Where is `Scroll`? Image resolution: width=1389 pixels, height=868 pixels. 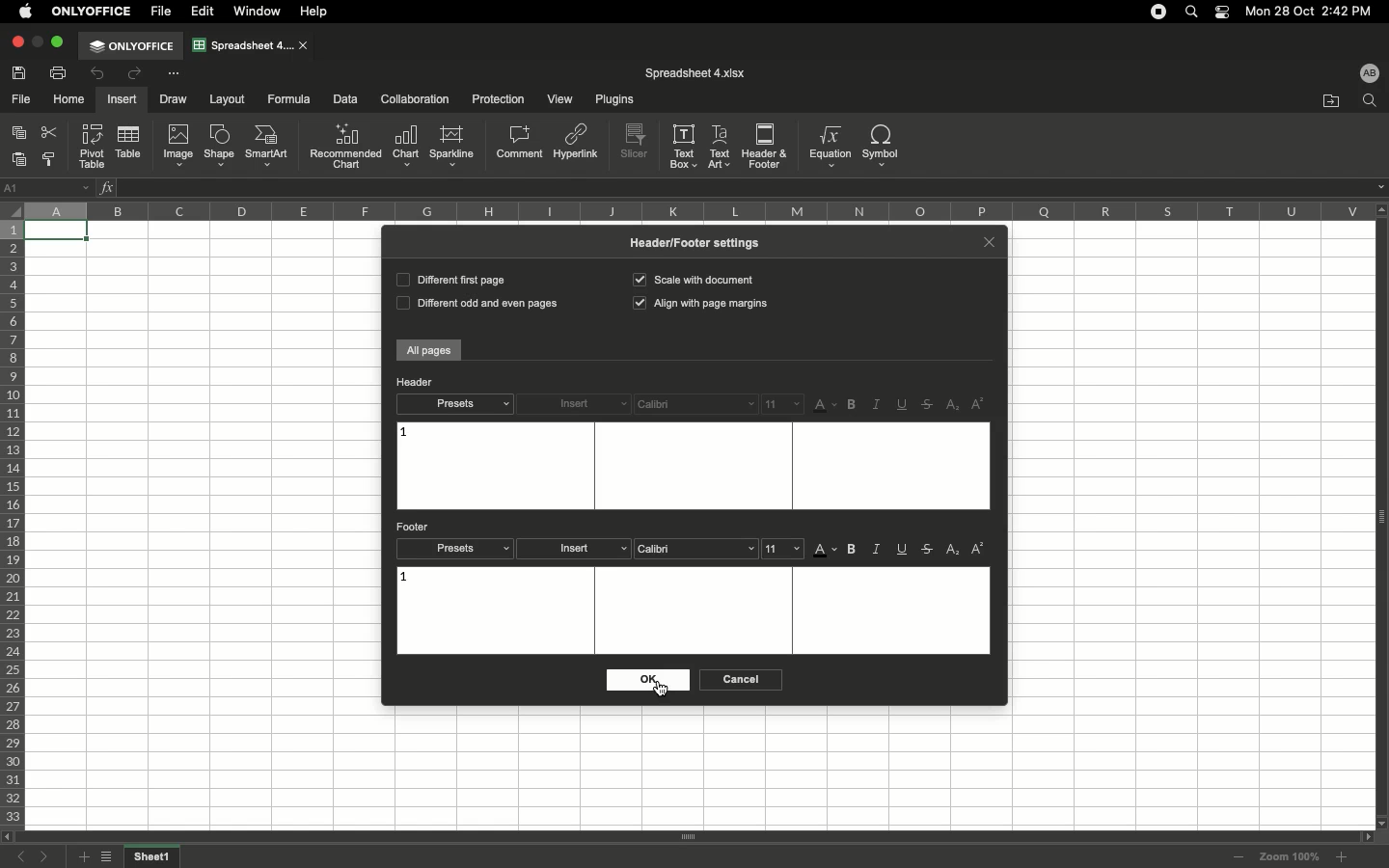 Scroll is located at coordinates (688, 838).